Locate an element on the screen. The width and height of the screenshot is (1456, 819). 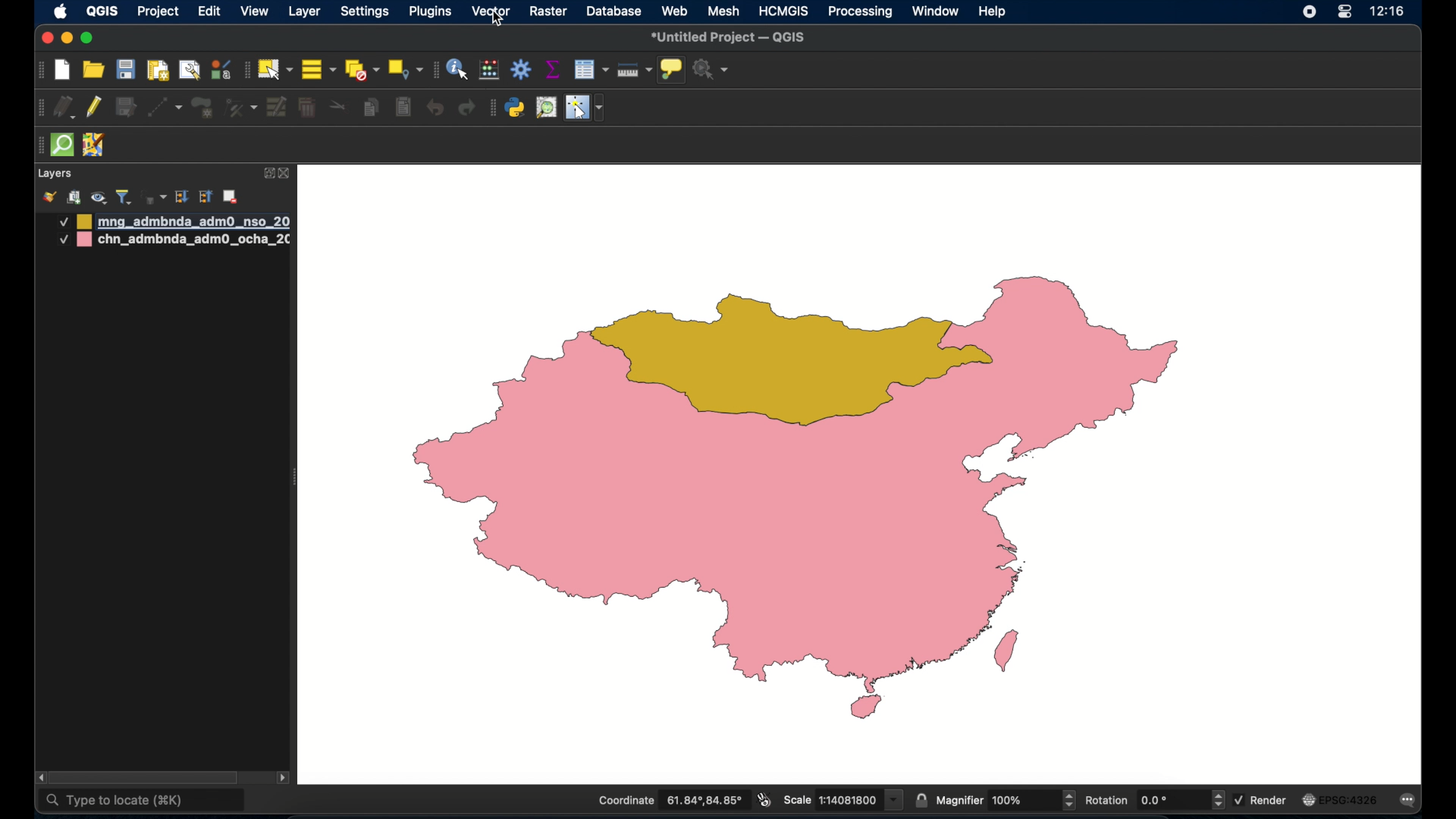
toggle editing is located at coordinates (95, 108).